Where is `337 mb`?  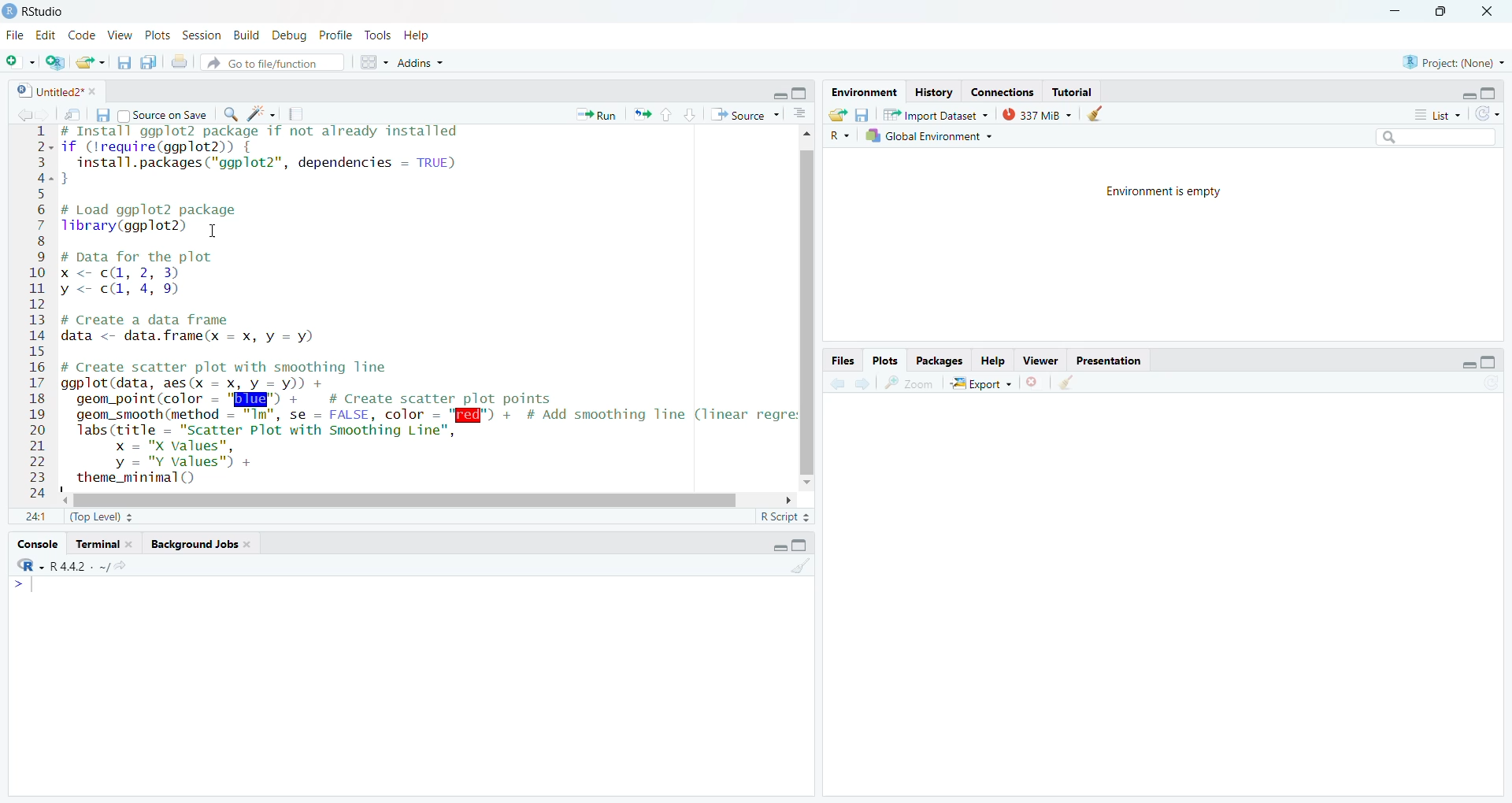
337 mb is located at coordinates (1042, 116).